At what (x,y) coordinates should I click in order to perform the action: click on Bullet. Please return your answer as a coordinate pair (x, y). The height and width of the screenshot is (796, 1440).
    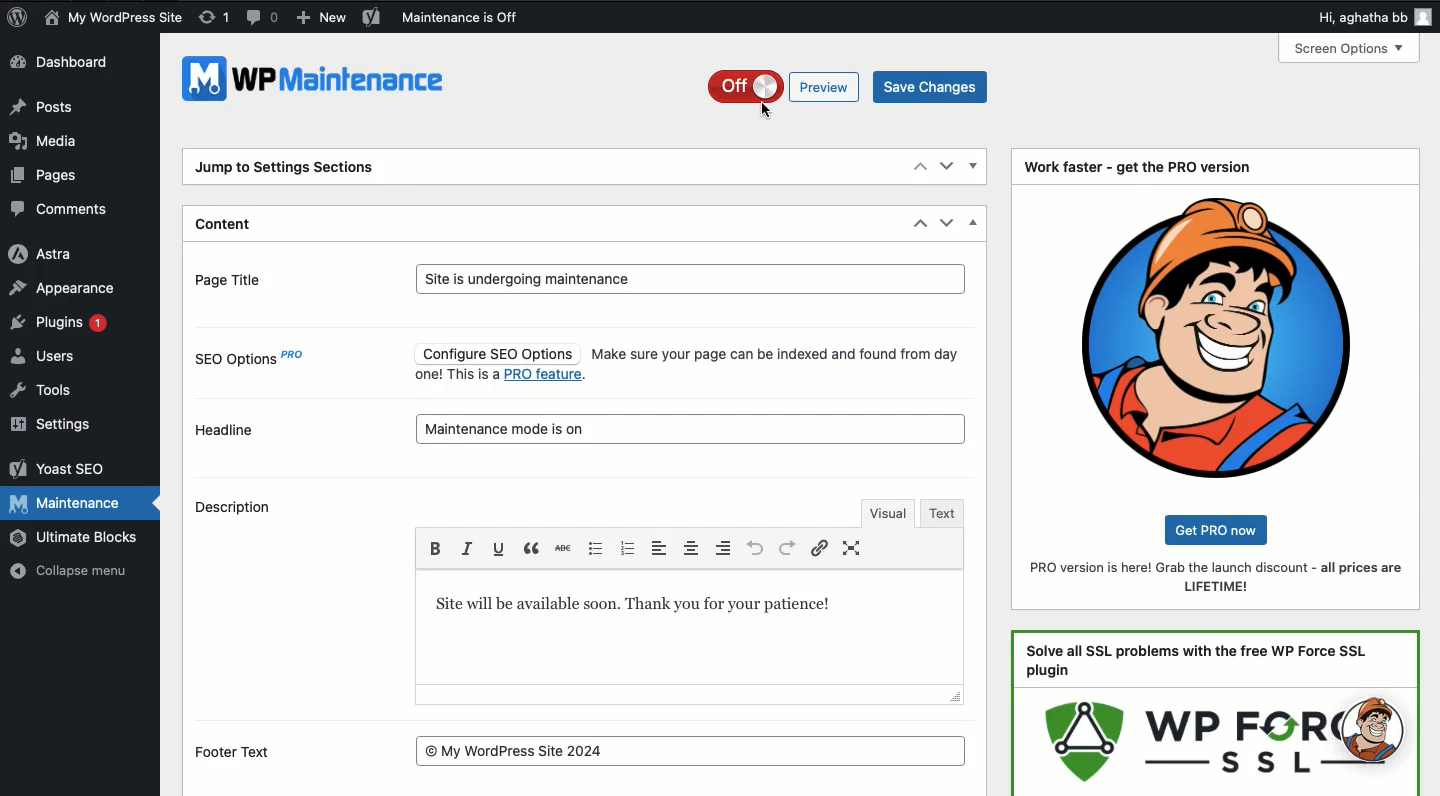
    Looking at the image, I should click on (593, 547).